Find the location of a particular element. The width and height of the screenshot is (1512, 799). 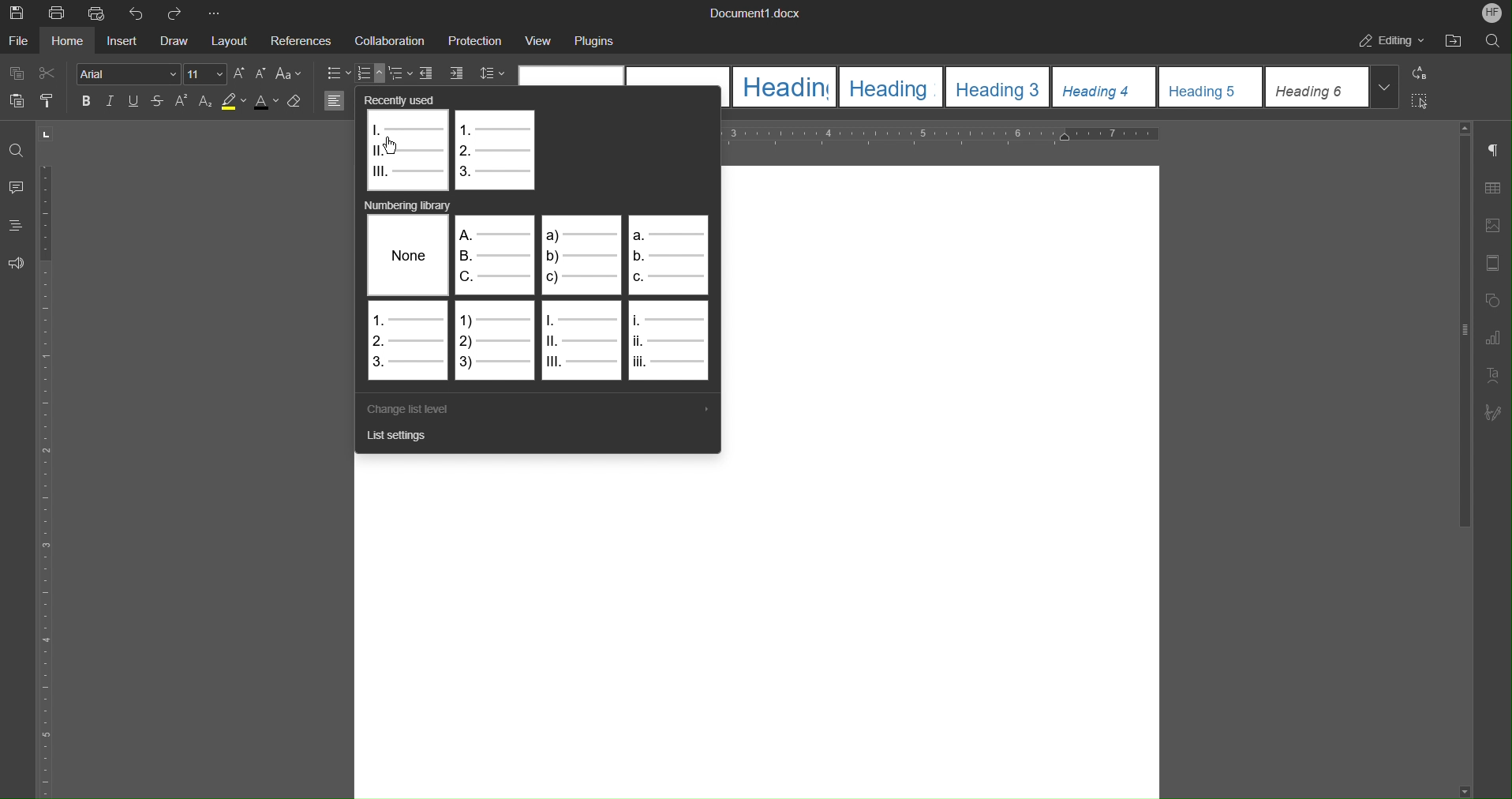

Copy Style is located at coordinates (49, 102).